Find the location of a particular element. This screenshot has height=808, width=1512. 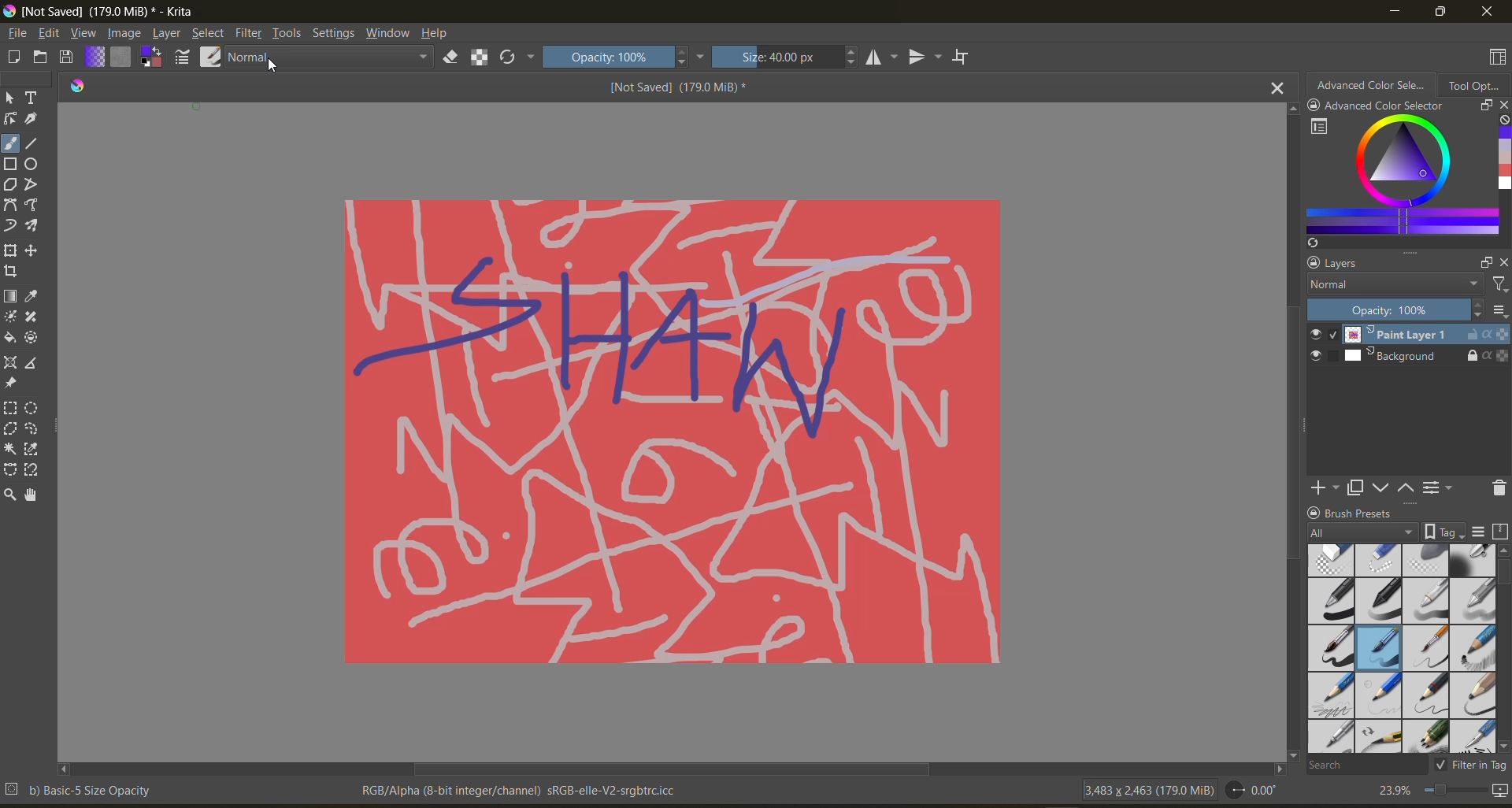

image is located at coordinates (126, 34).